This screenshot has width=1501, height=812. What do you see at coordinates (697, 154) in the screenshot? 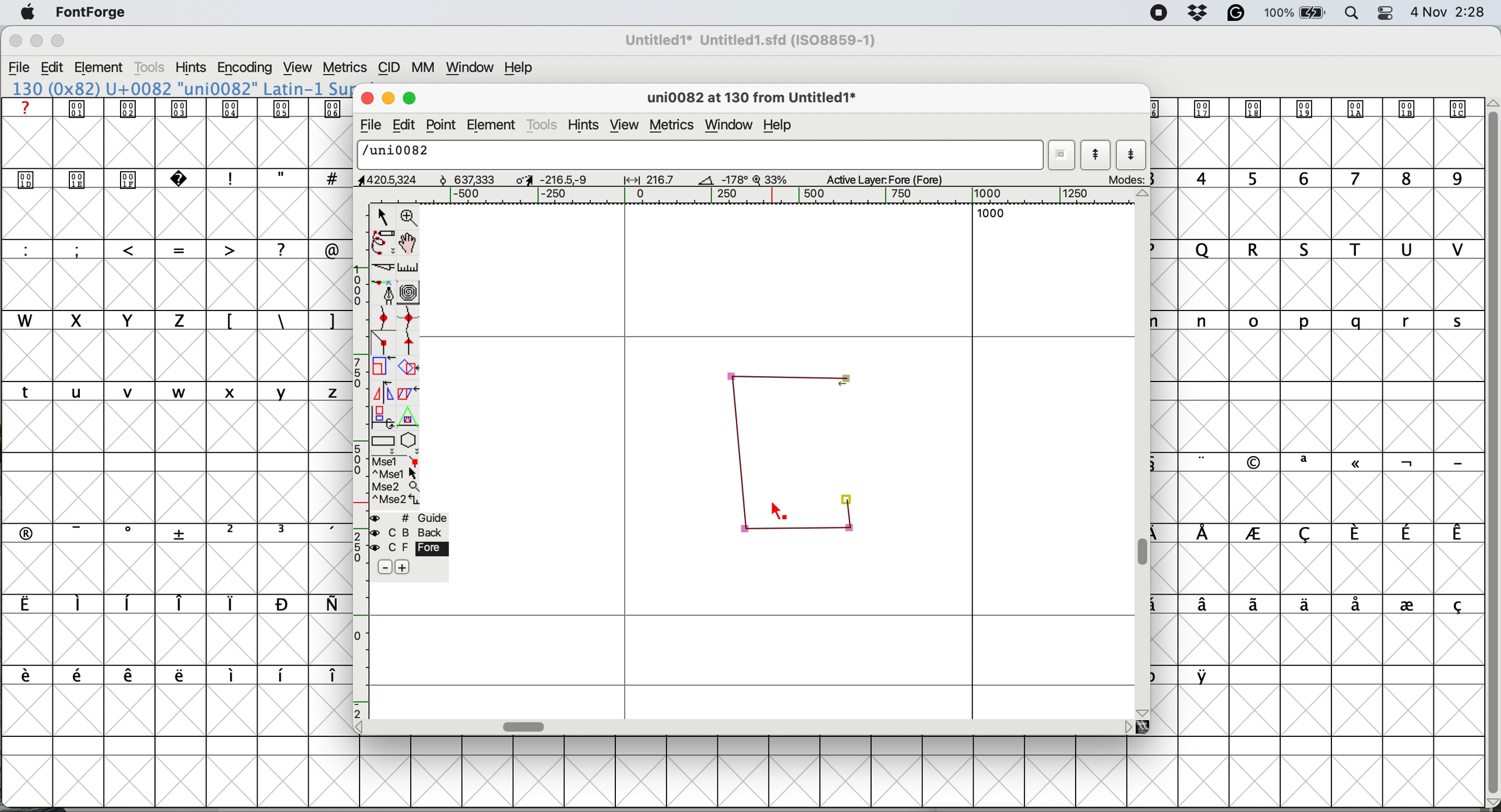
I see `glyph name` at bounding box center [697, 154].